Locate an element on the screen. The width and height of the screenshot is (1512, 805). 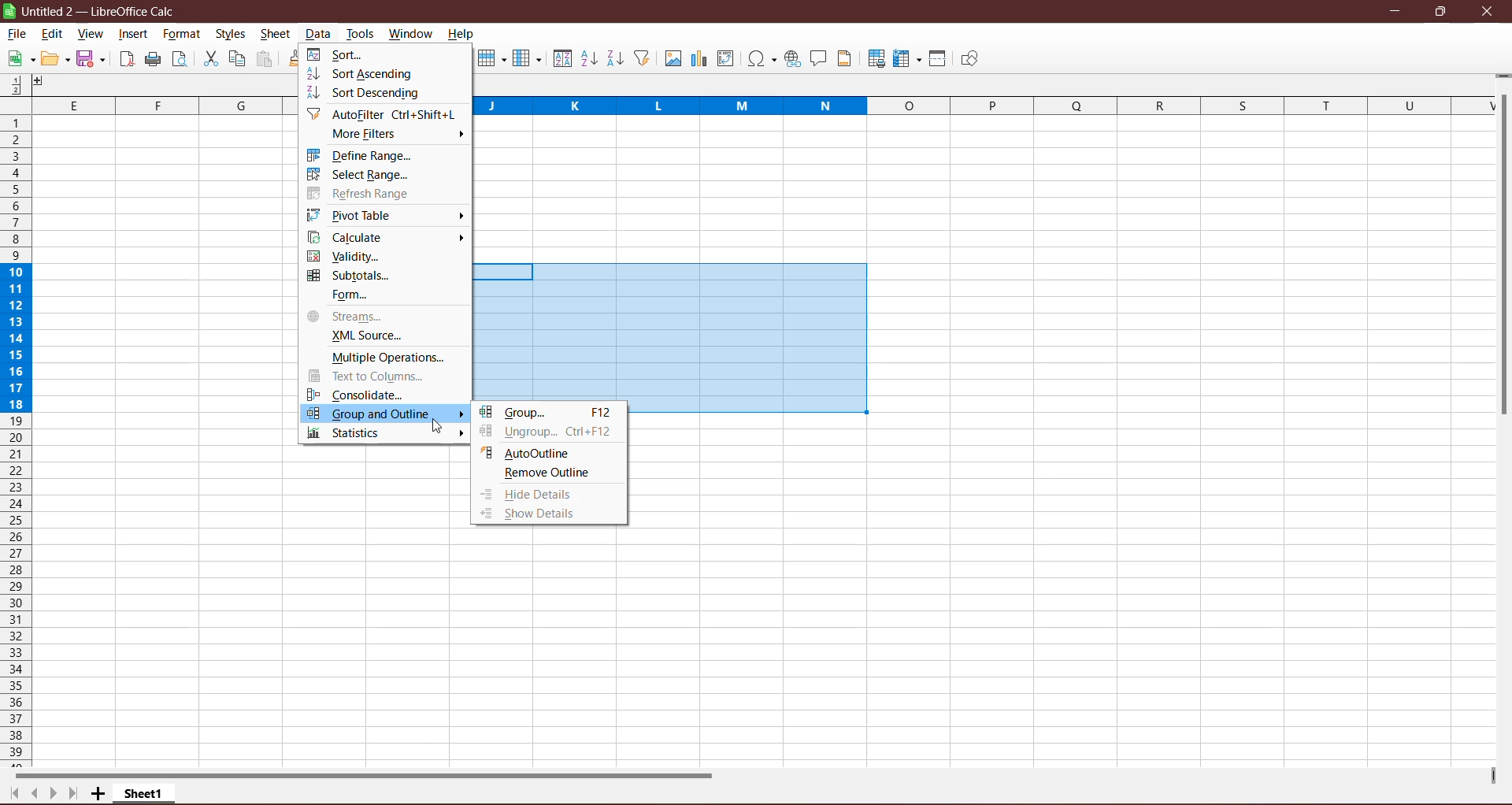
Freeze Rows and Columns is located at coordinates (908, 59).